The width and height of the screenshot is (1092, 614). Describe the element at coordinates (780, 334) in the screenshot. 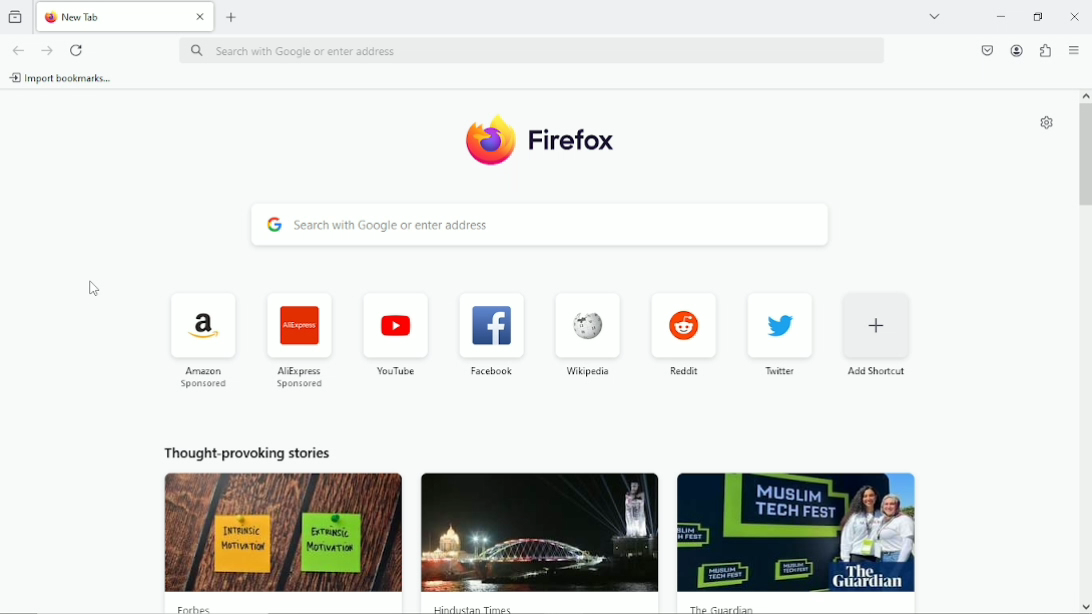

I see `Twitter` at that location.